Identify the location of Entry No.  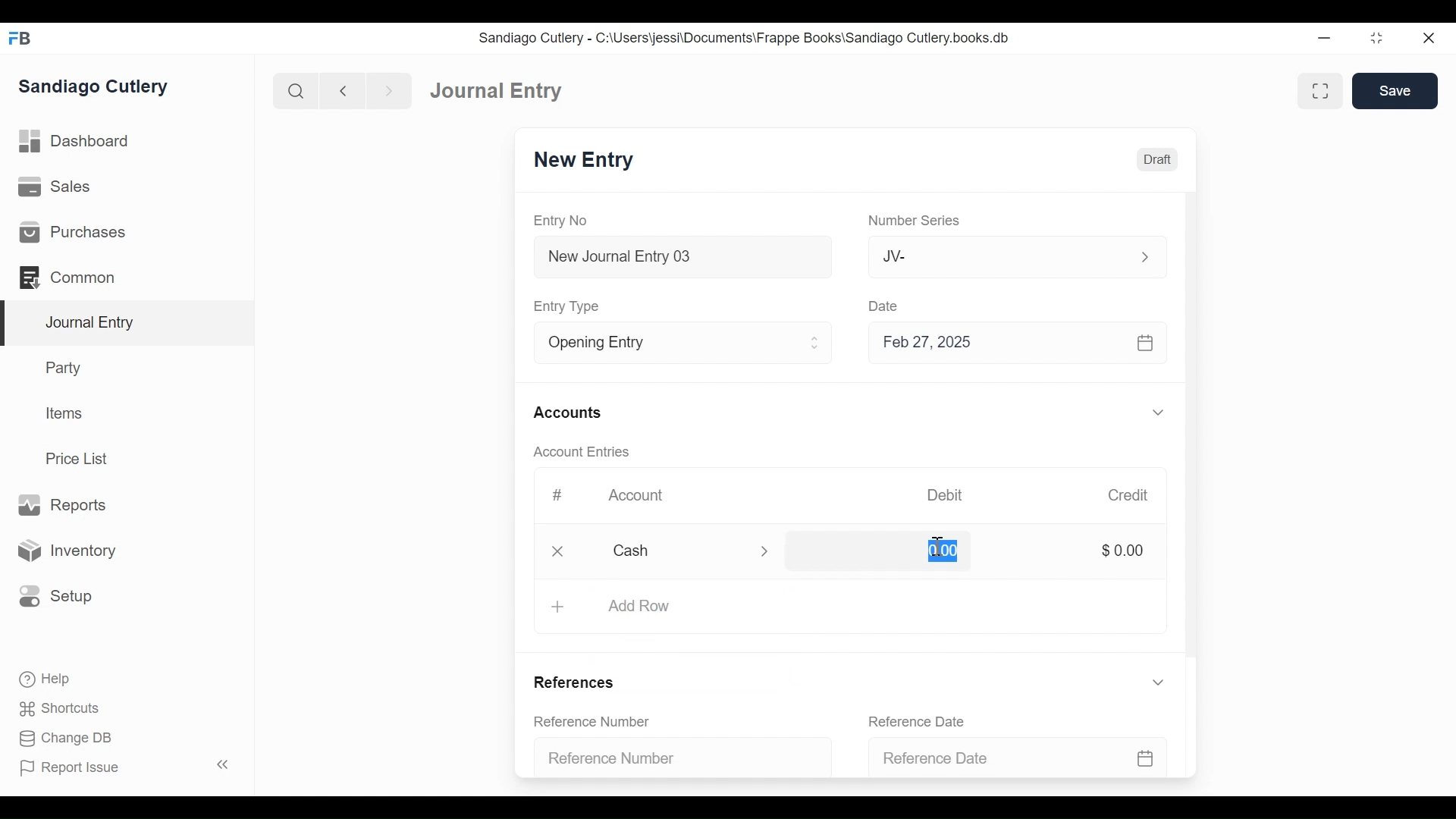
(560, 221).